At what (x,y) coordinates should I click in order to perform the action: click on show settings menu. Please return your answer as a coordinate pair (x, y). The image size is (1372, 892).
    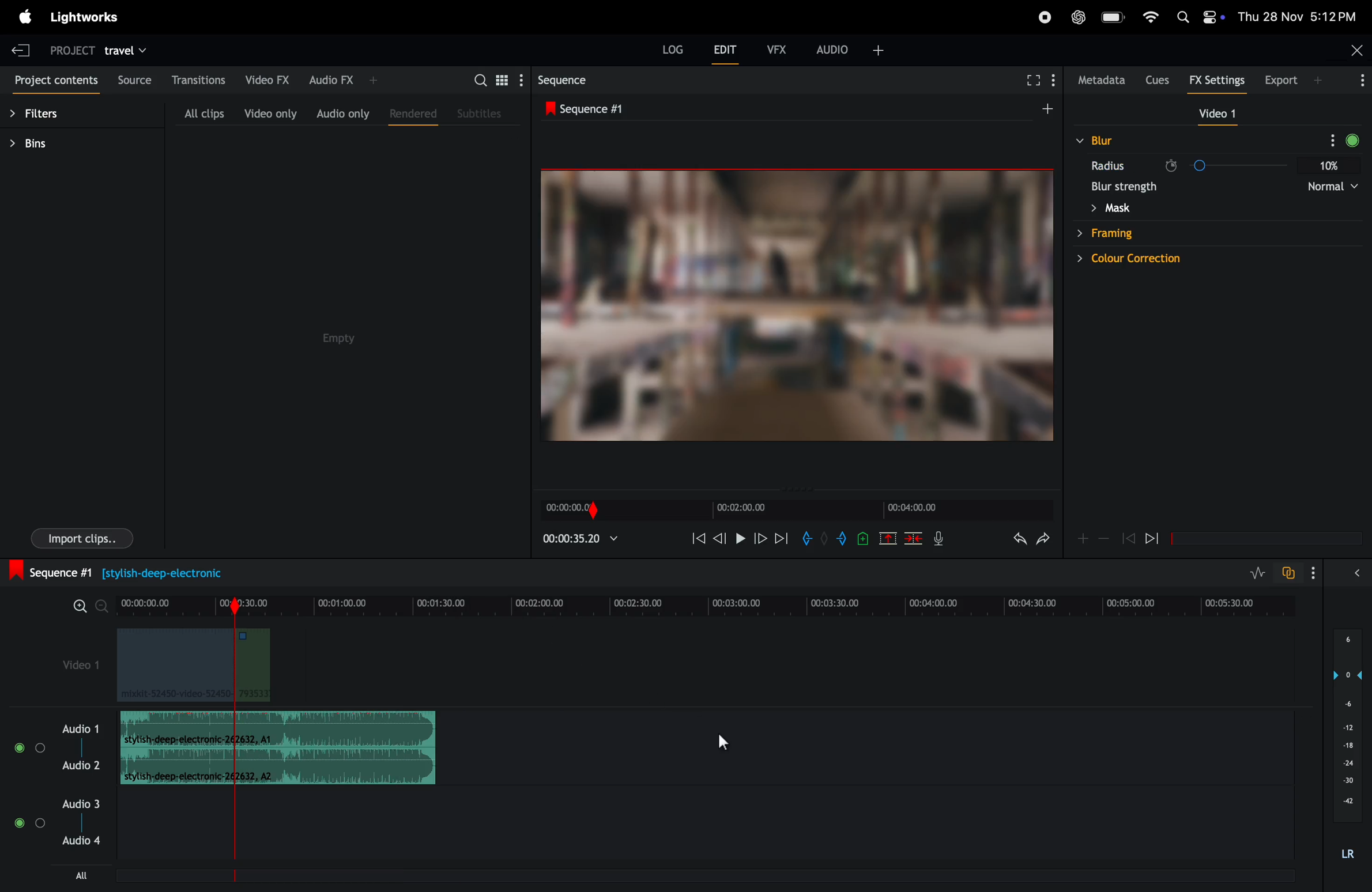
    Looking at the image, I should click on (521, 81).